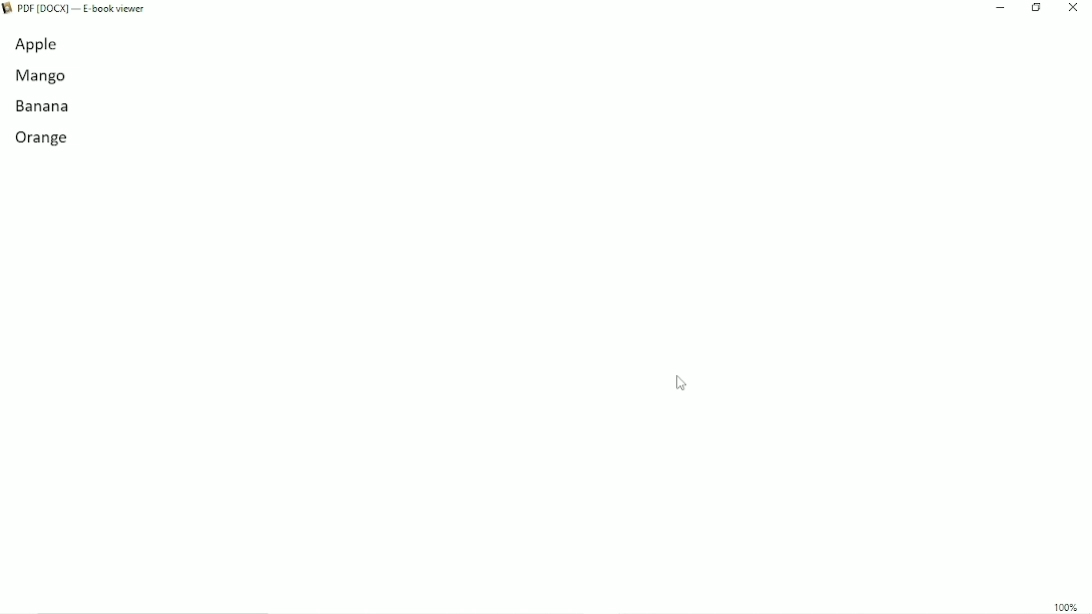 This screenshot has height=614, width=1092. What do you see at coordinates (43, 137) in the screenshot?
I see `orange` at bounding box center [43, 137].